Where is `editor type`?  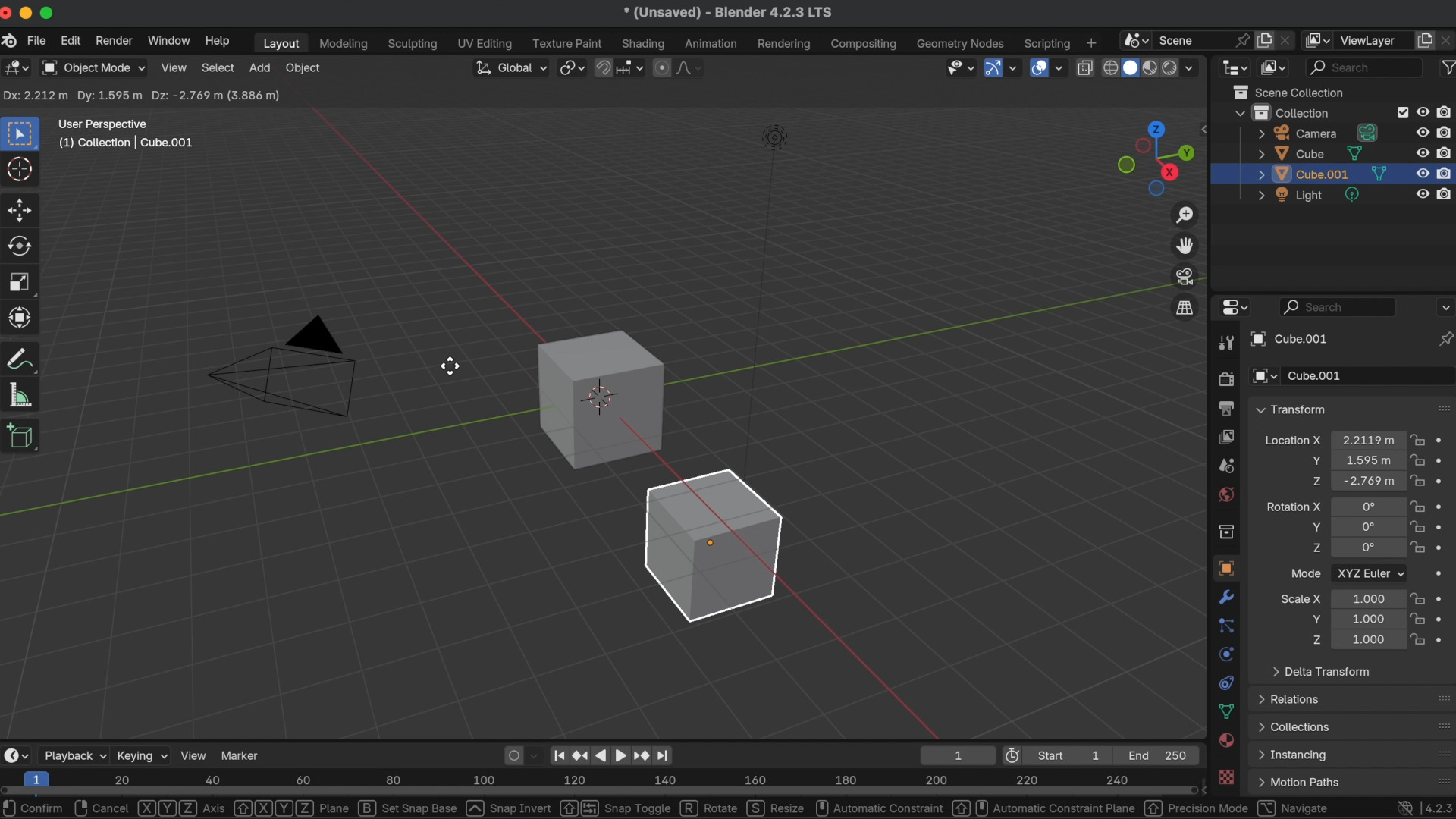 editor type is located at coordinates (15, 755).